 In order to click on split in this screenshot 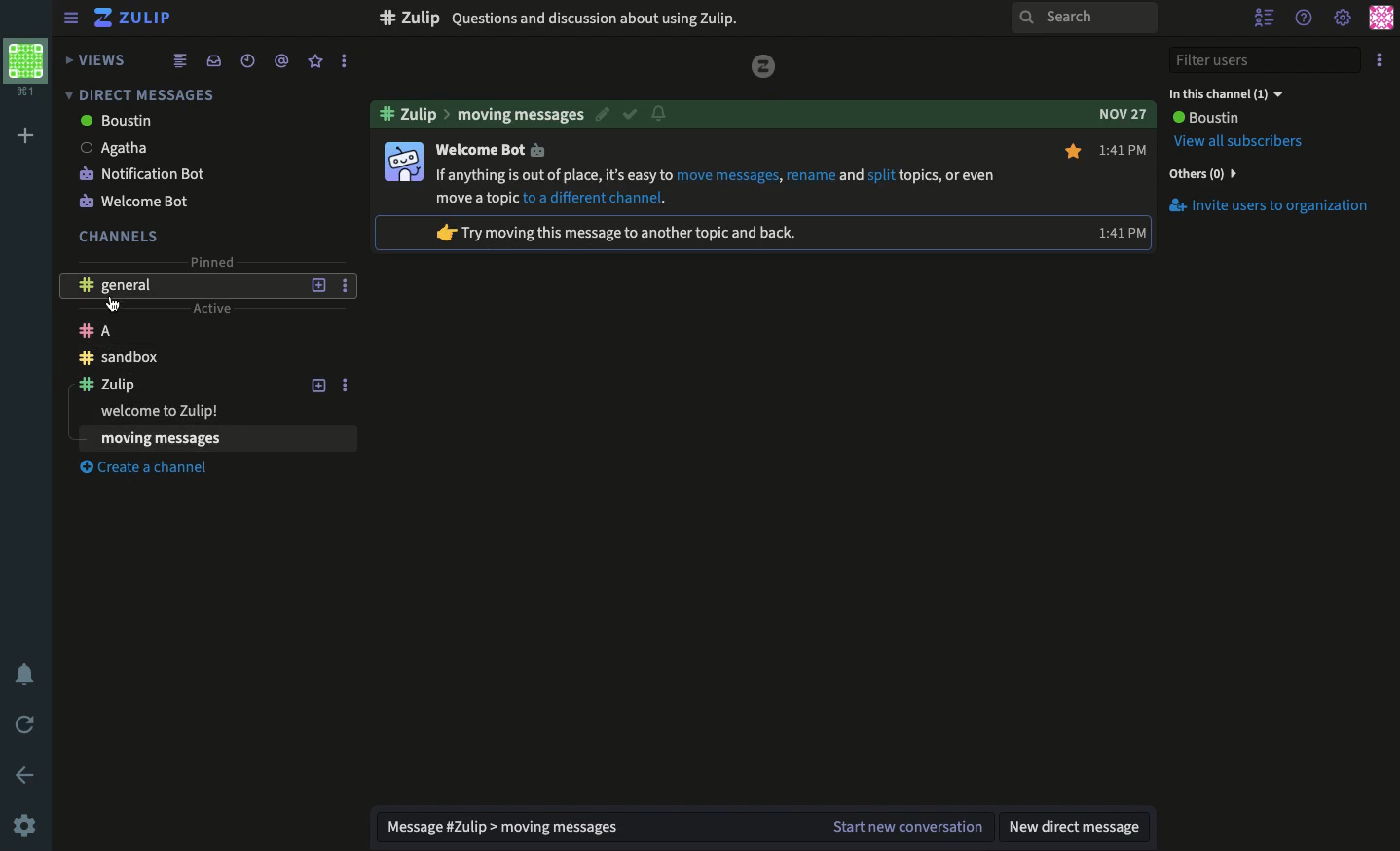, I will do `click(881, 176)`.